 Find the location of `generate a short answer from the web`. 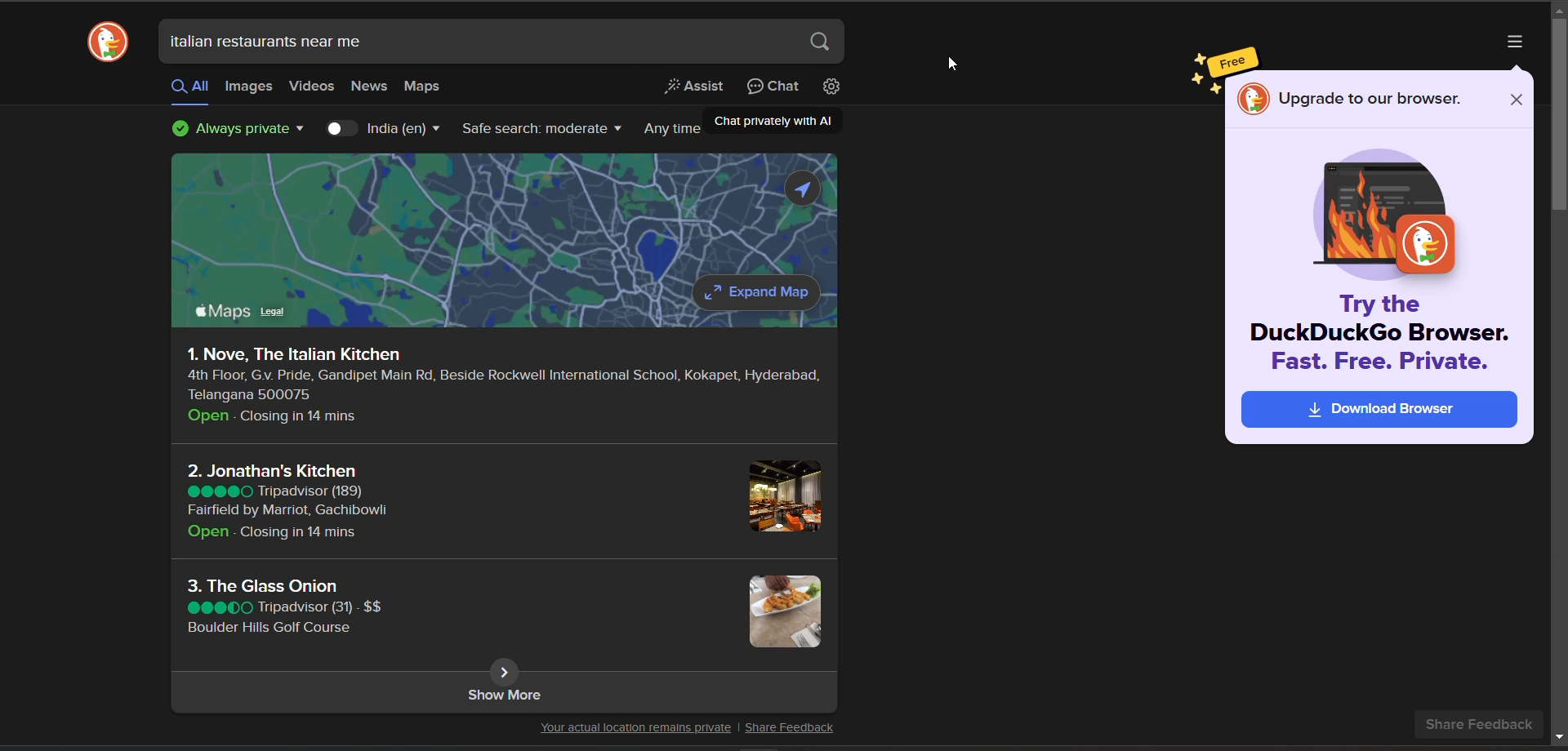

generate a short answer from the web is located at coordinates (694, 87).